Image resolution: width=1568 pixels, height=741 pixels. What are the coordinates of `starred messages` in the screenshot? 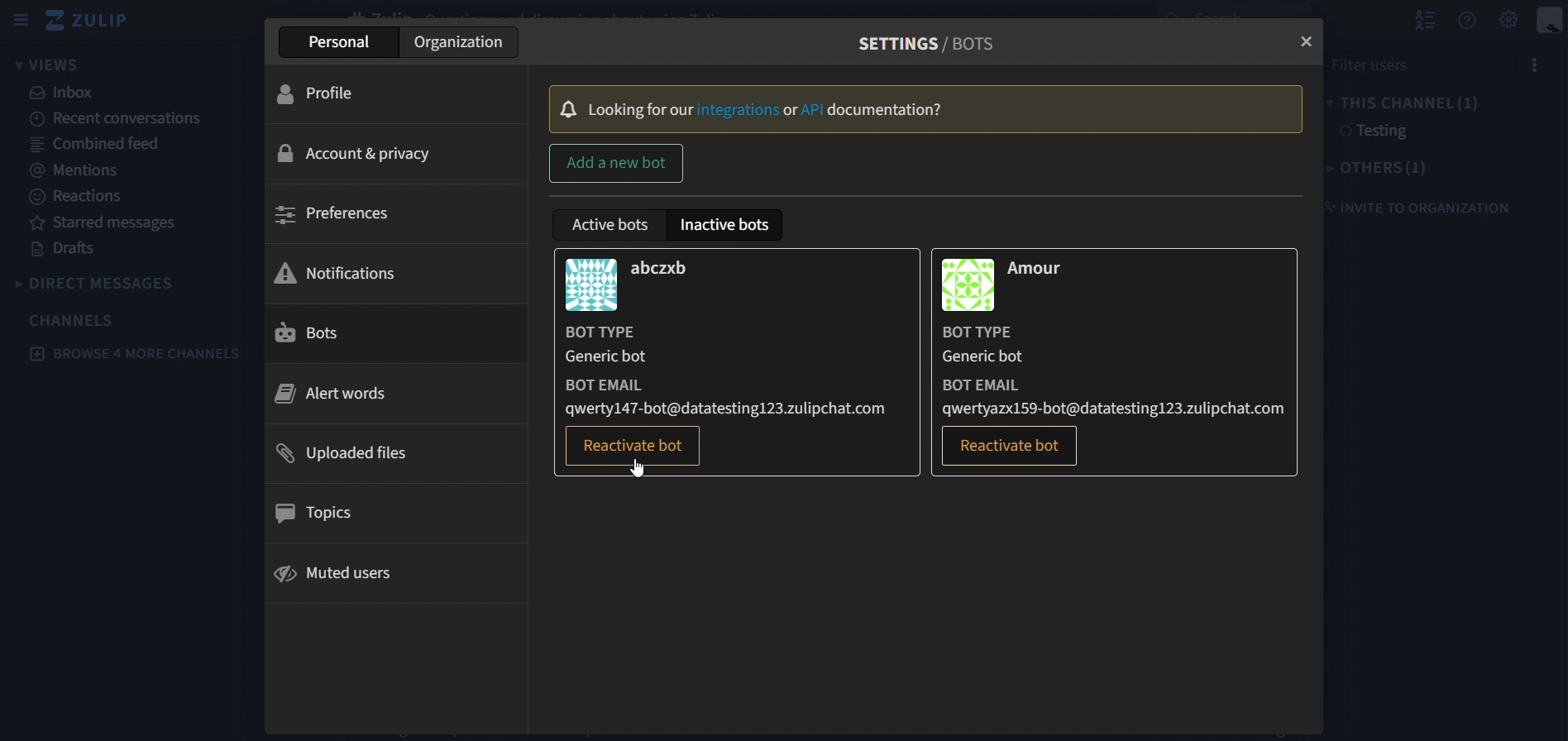 It's located at (107, 222).